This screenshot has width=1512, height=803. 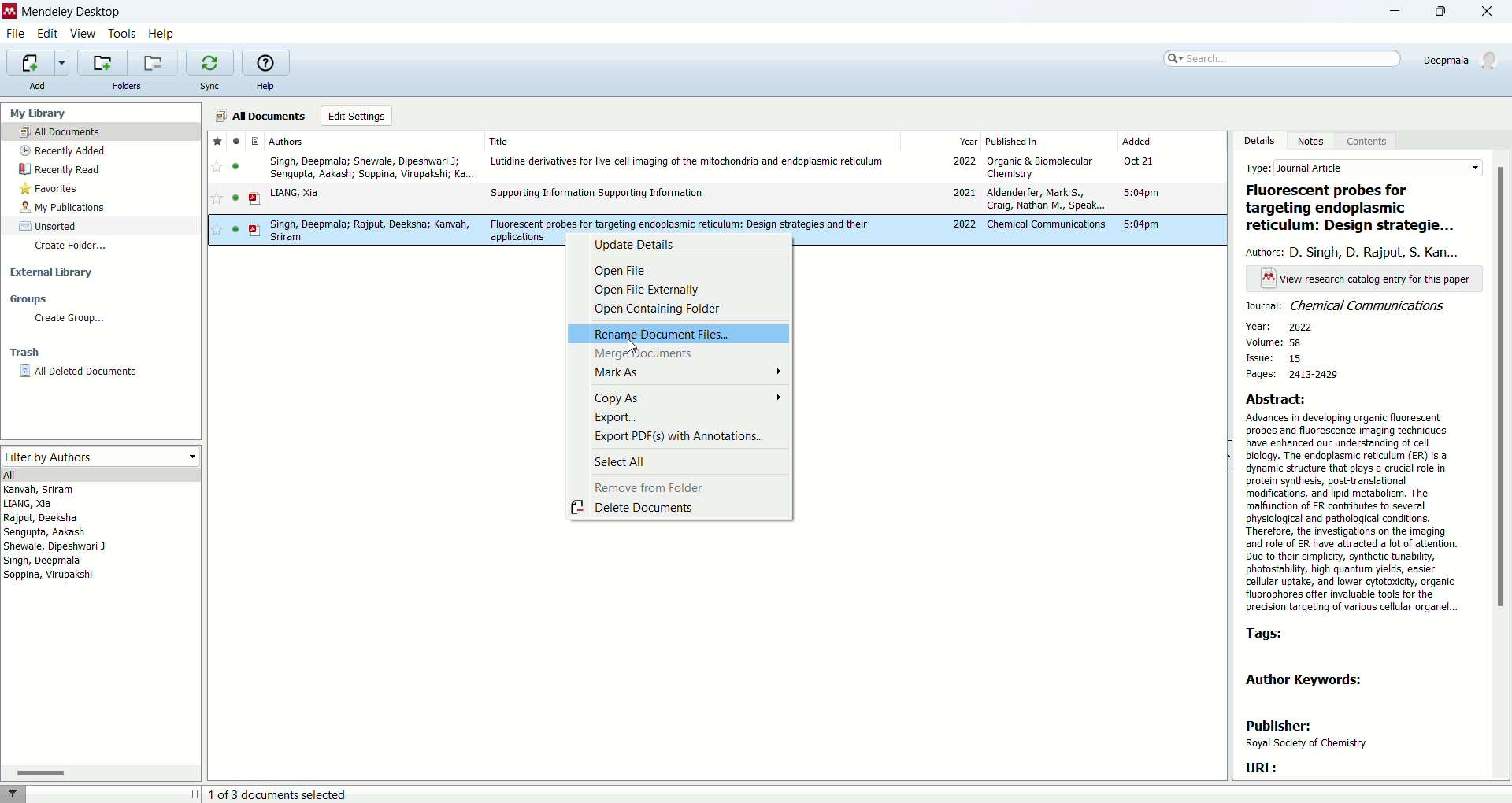 I want to click on read/unread, so click(x=232, y=230).